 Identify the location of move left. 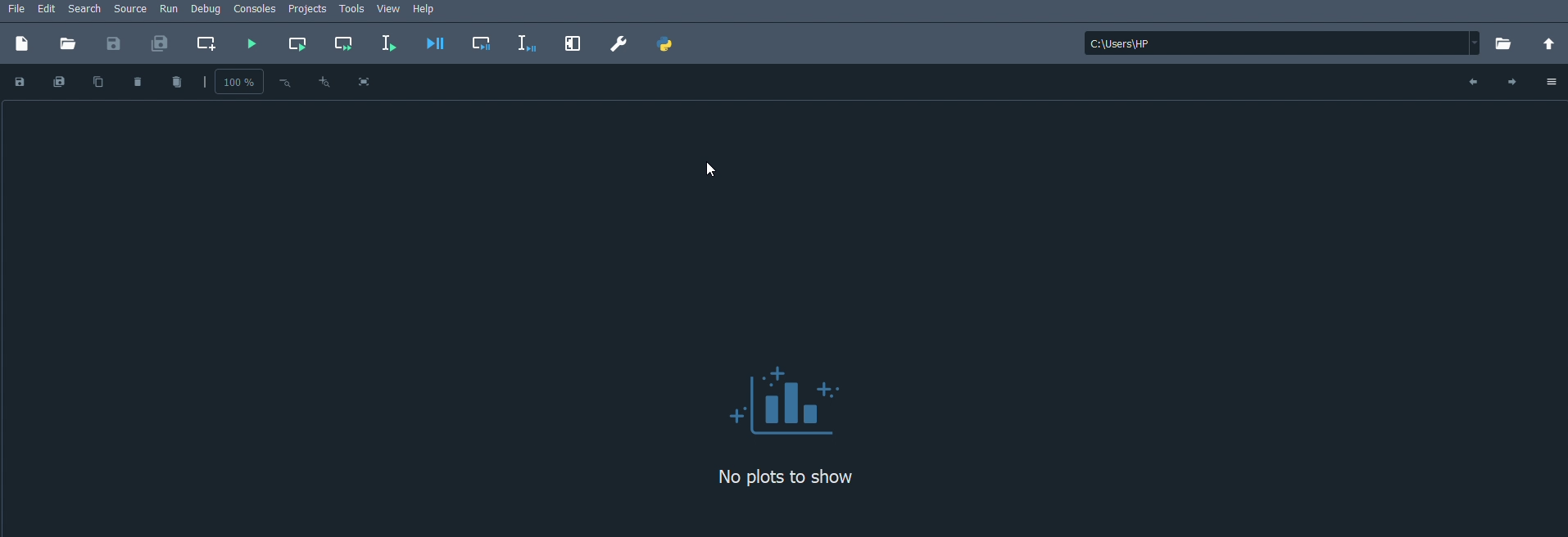
(1471, 82).